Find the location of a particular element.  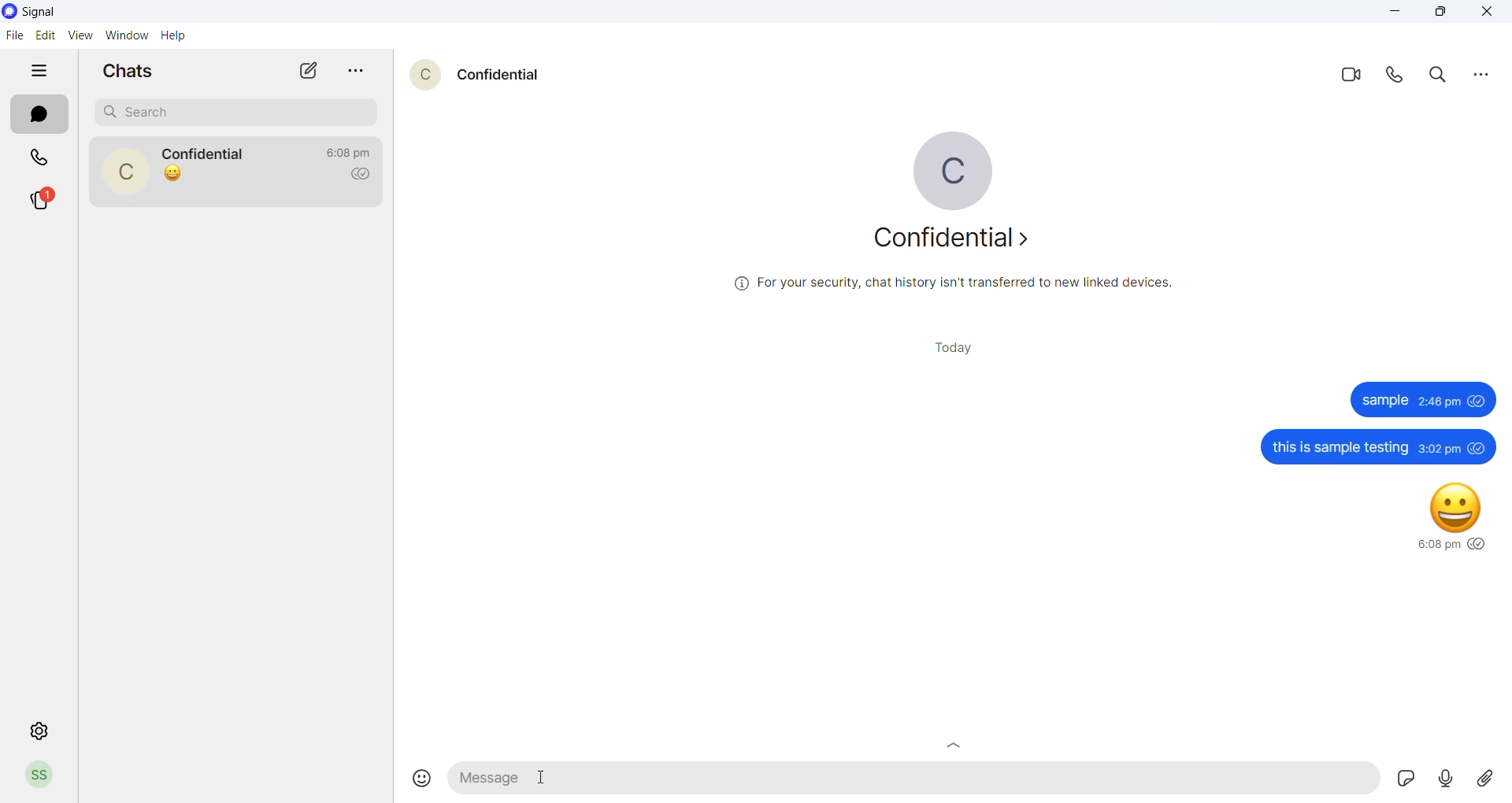

application name and logo is located at coordinates (46, 12).